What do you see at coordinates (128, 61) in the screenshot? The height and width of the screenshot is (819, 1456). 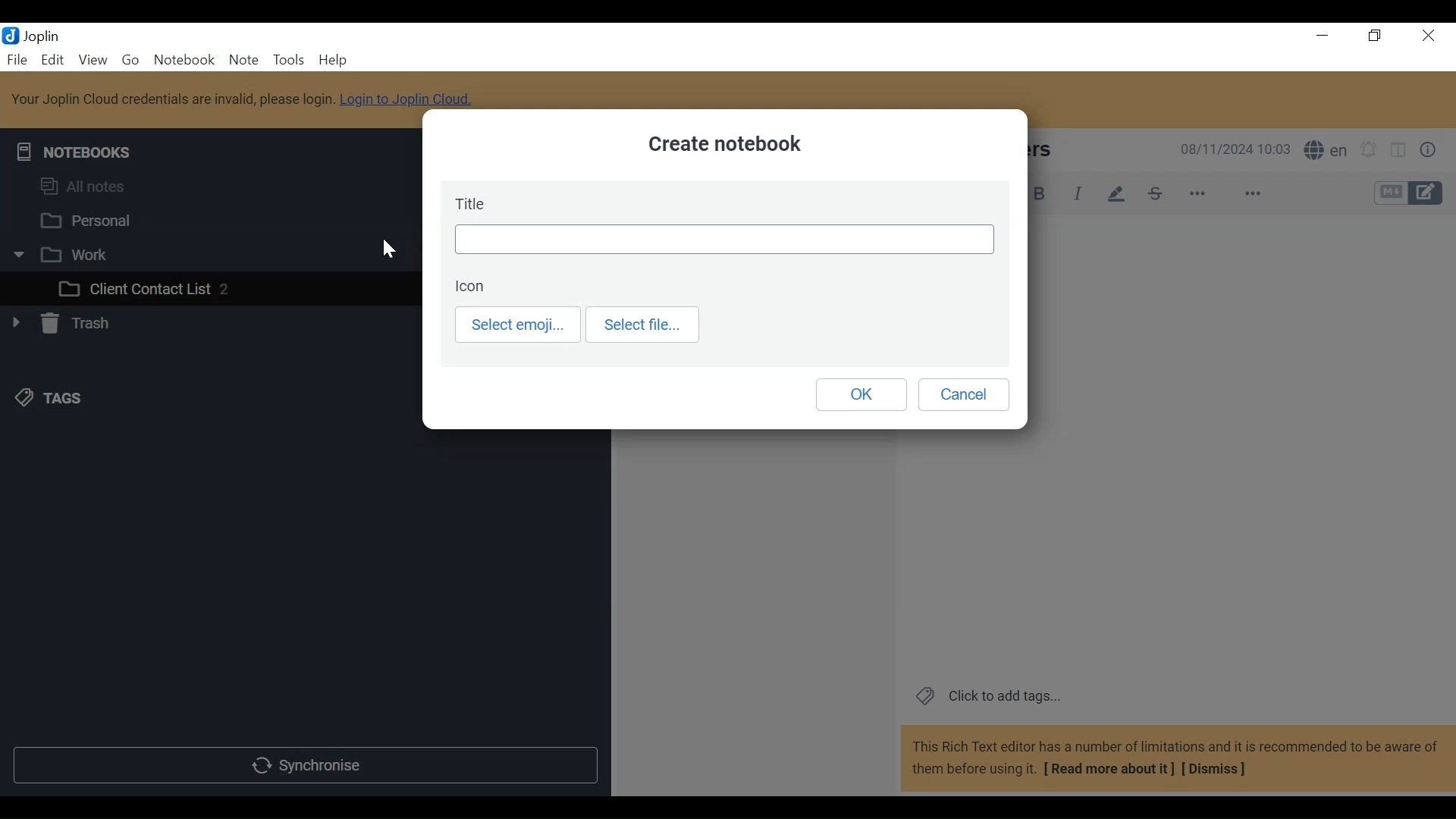 I see `Go` at bounding box center [128, 61].